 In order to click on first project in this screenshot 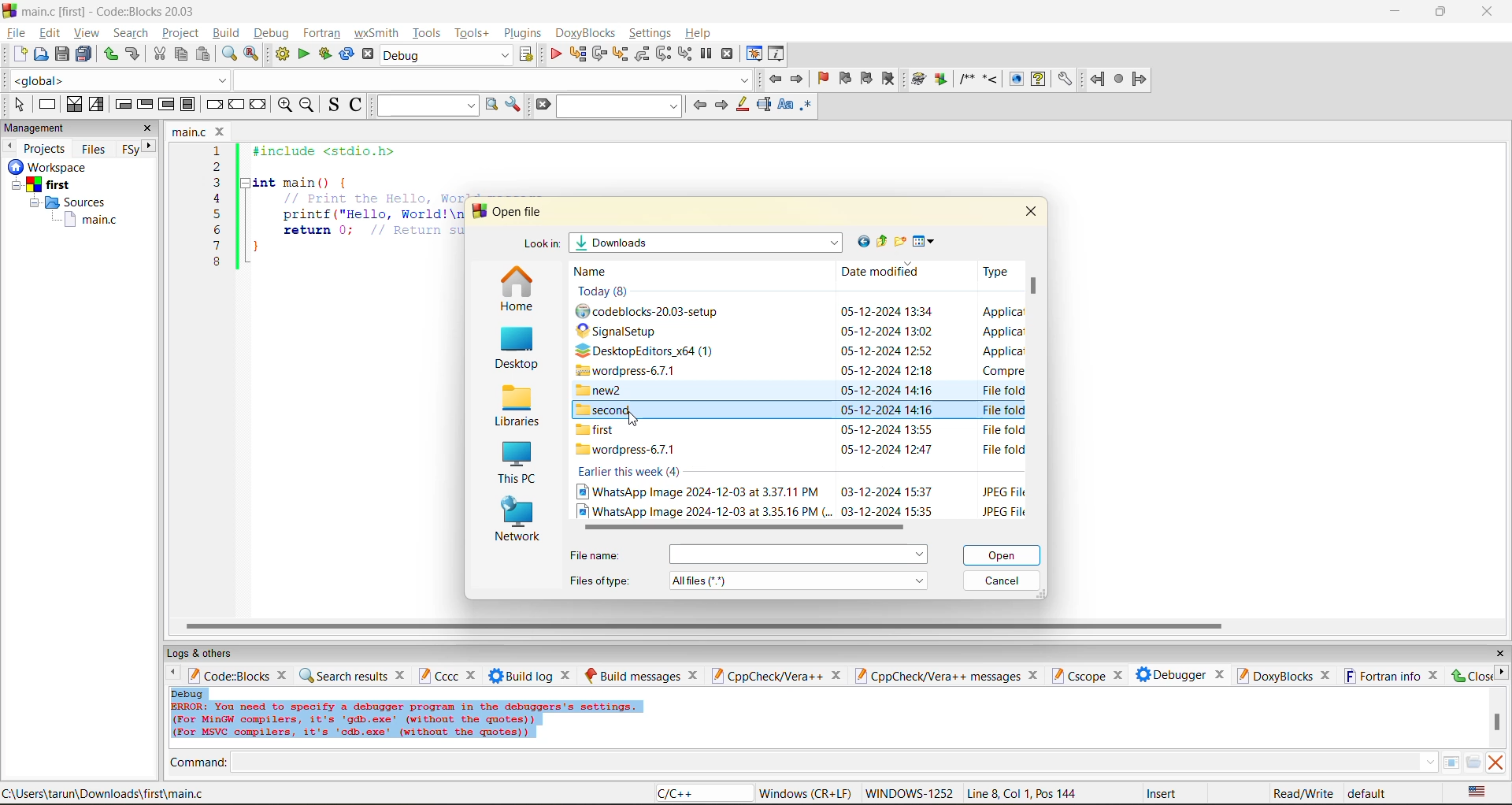, I will do `click(43, 185)`.